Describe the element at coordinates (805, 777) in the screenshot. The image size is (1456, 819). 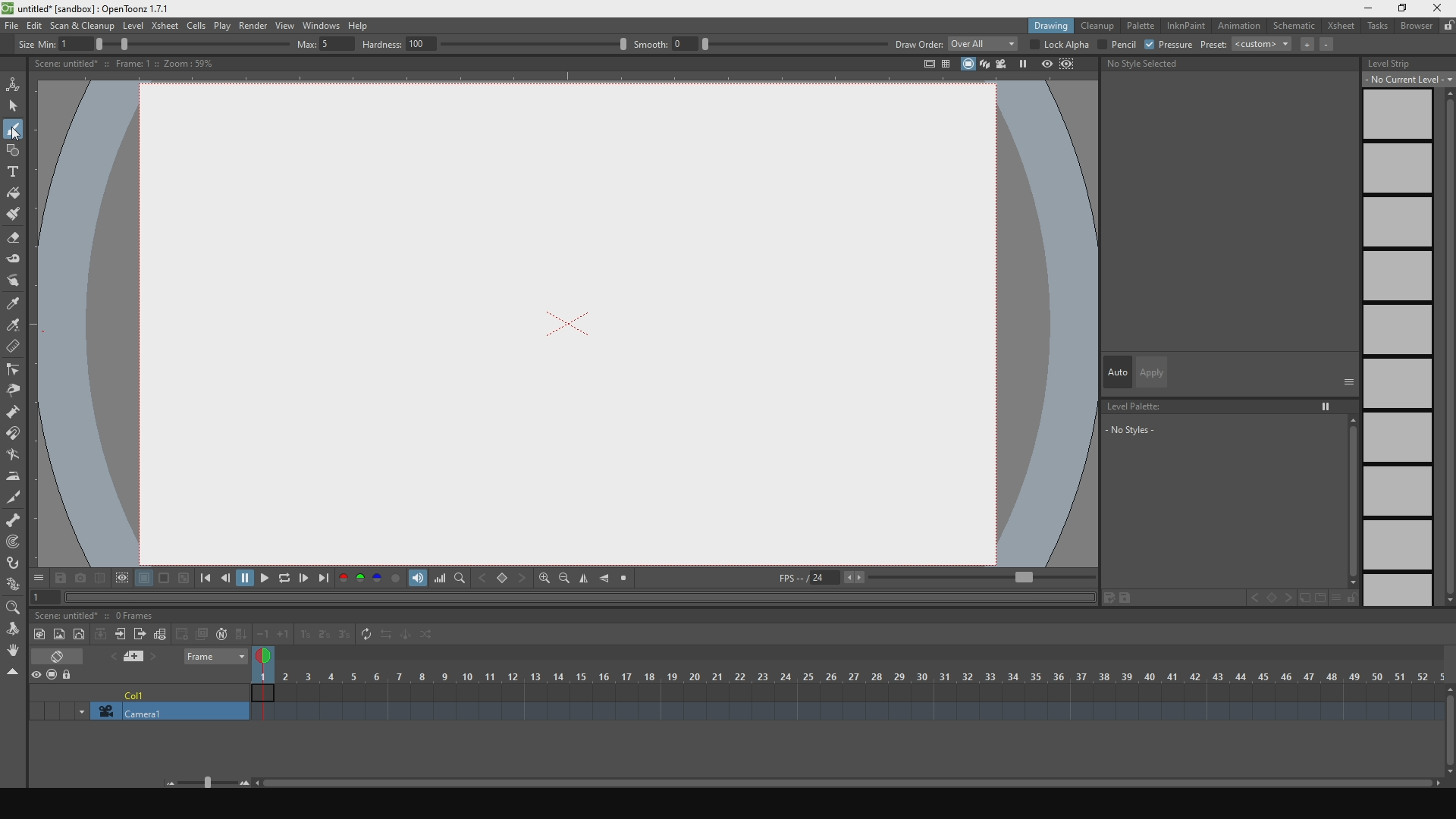
I see `horizontal slider` at that location.